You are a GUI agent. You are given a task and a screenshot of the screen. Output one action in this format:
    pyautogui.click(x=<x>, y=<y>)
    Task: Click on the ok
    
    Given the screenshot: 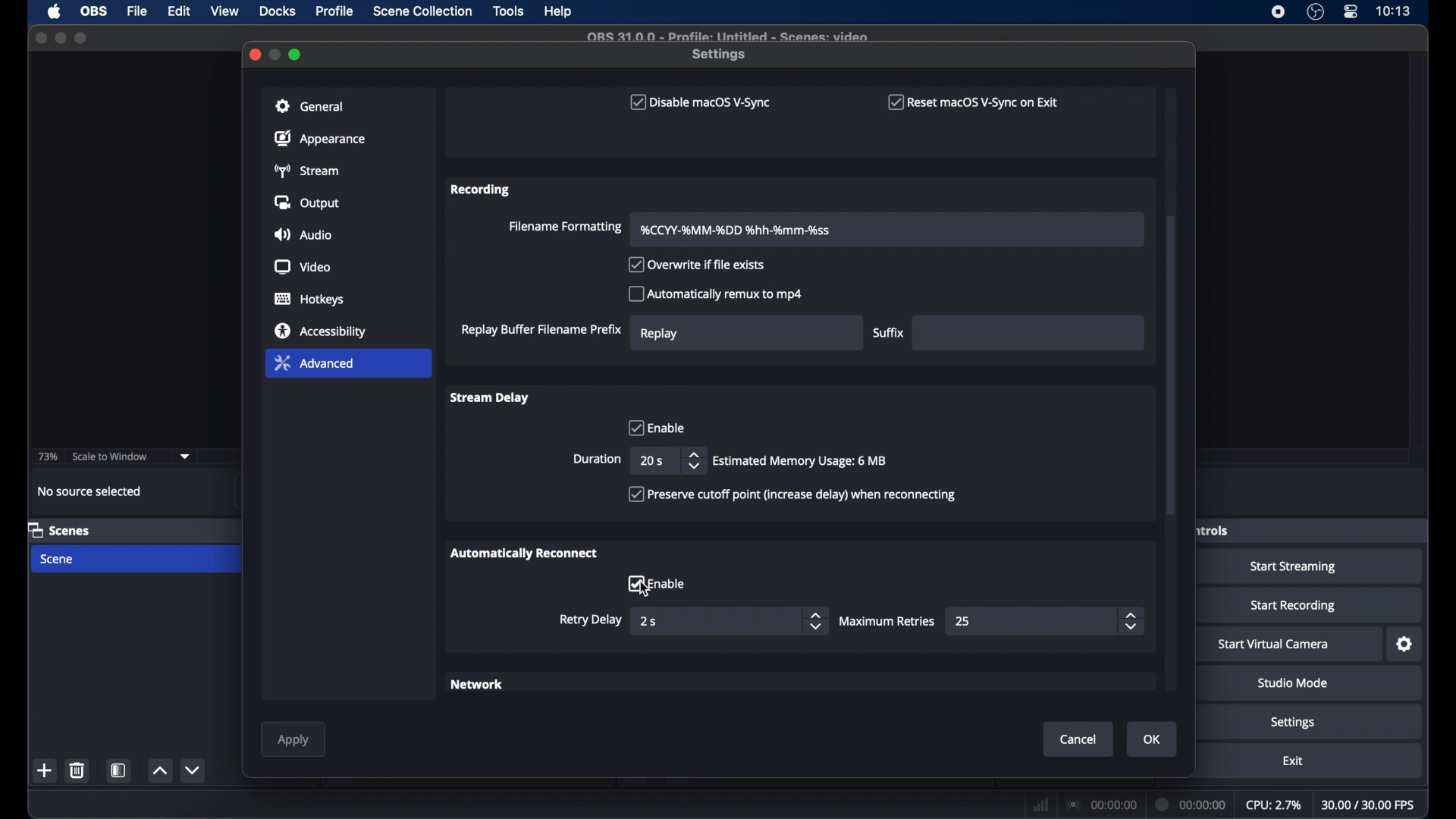 What is the action you would take?
    pyautogui.click(x=1153, y=739)
    